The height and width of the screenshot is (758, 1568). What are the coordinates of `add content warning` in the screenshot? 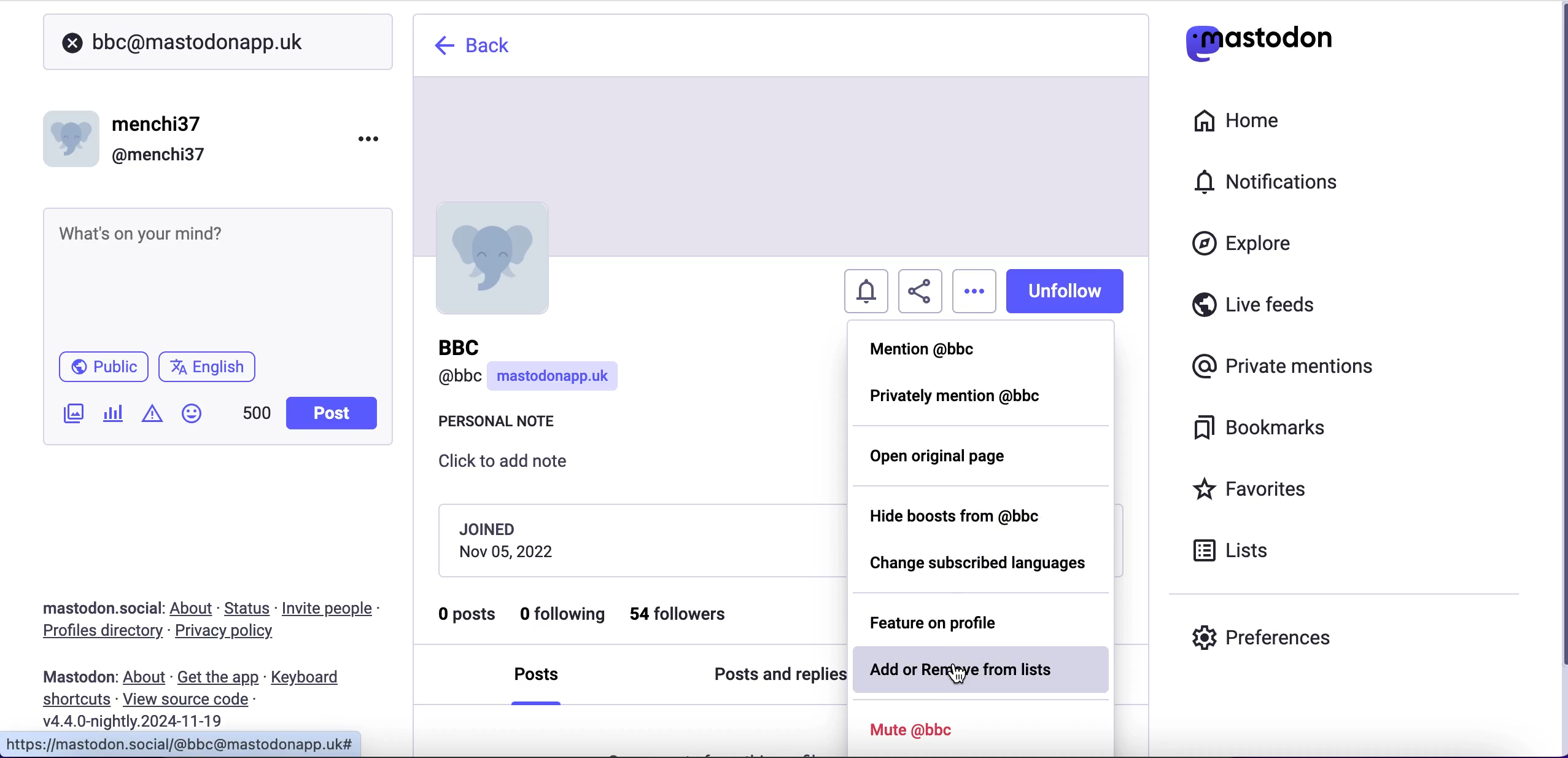 It's located at (155, 415).